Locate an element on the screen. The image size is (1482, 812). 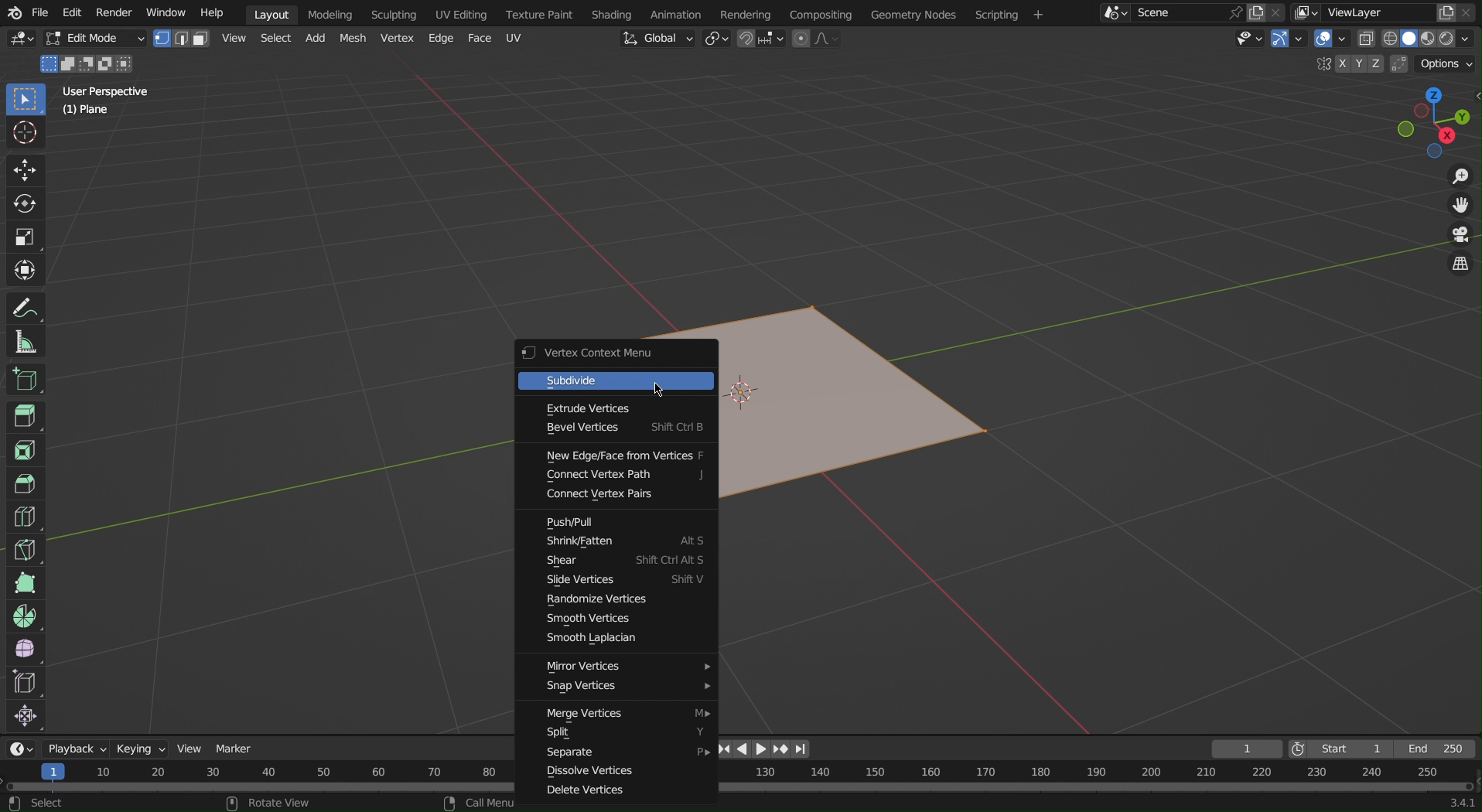
Smooth Laplacian is located at coordinates (620, 640).